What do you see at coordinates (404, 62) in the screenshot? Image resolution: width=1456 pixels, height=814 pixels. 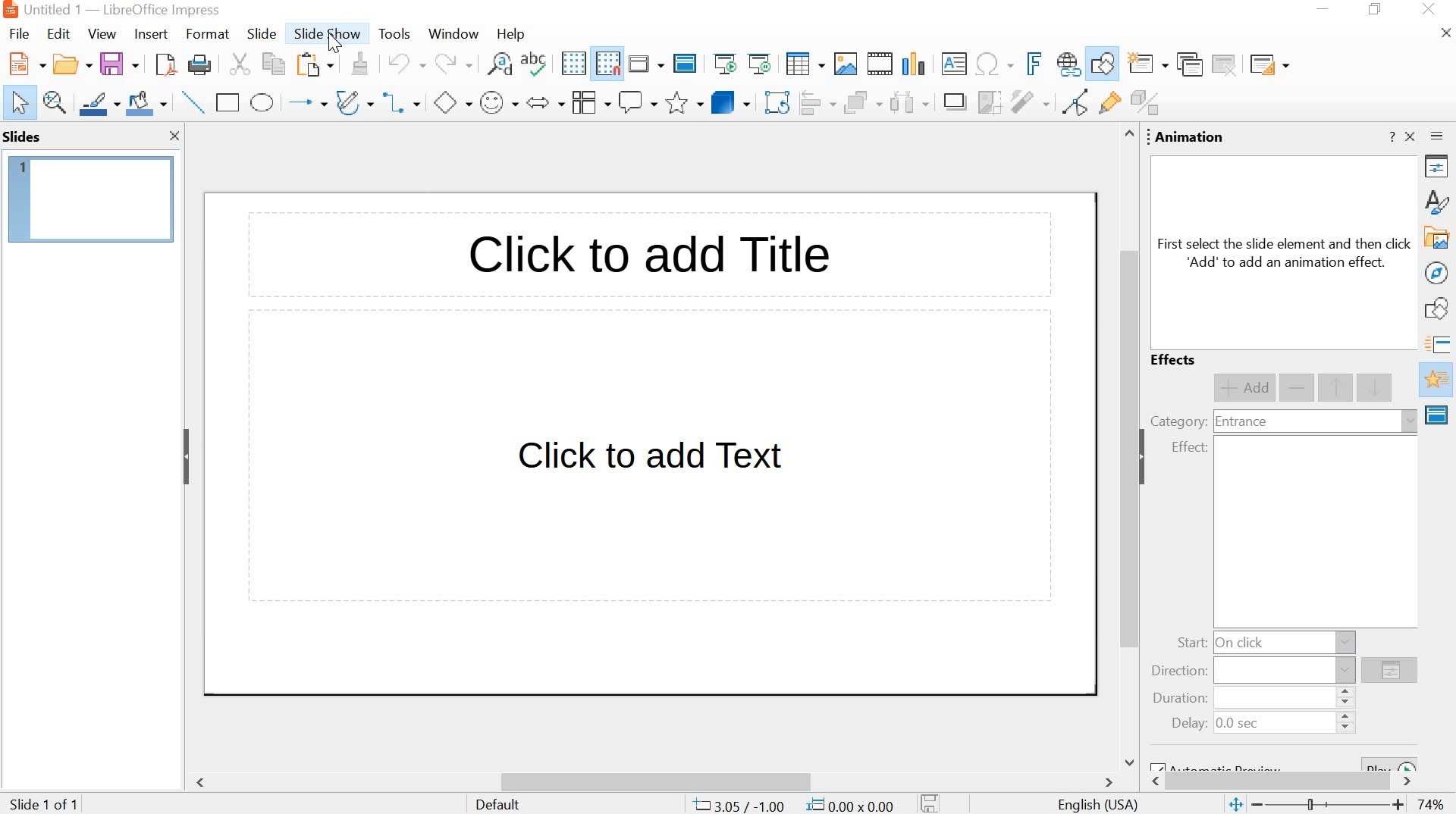 I see `undo` at bounding box center [404, 62].